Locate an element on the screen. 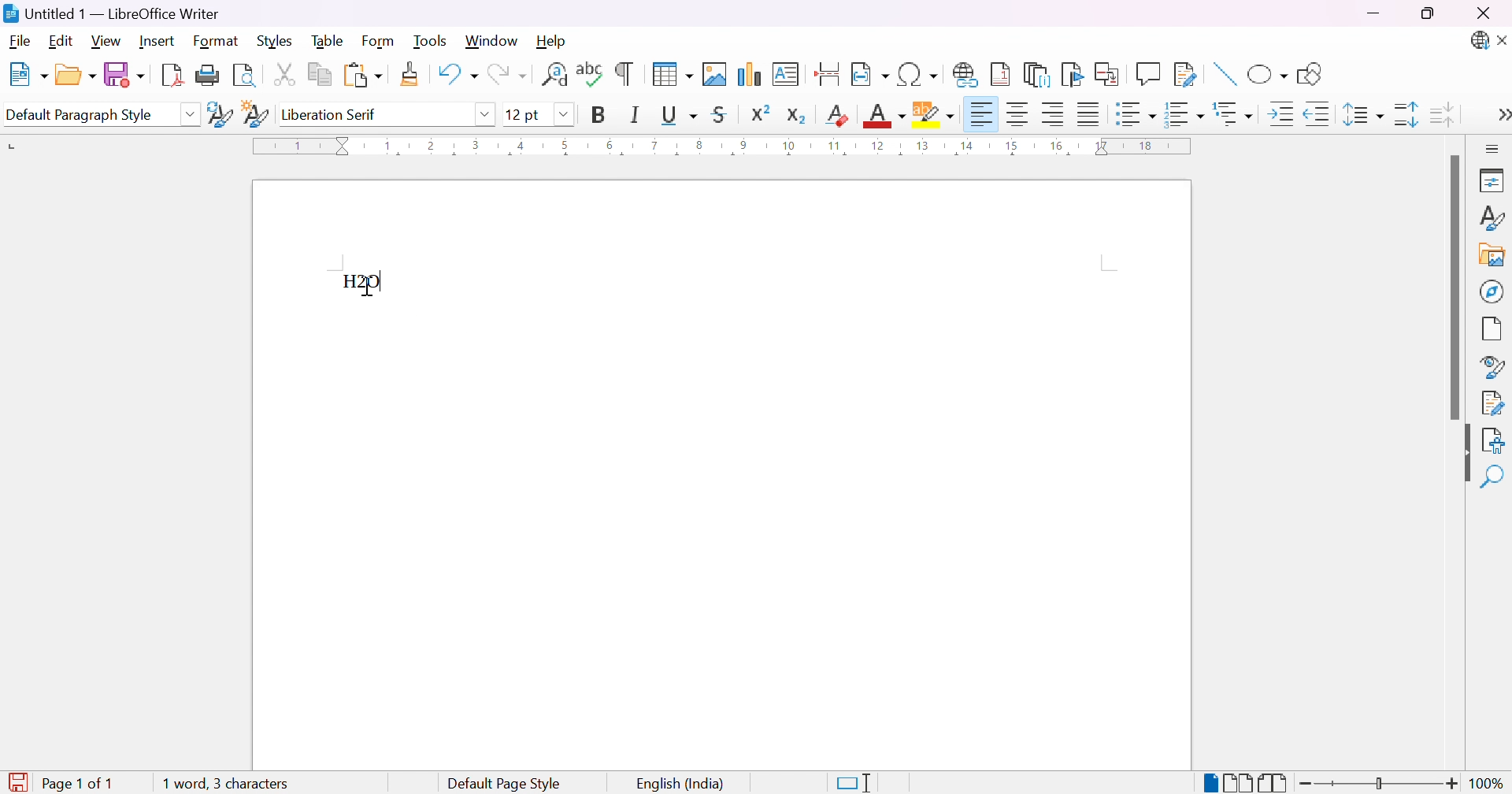 This screenshot has height=794, width=1512. Untitled 1 - LibreOffice Writer is located at coordinates (109, 13).